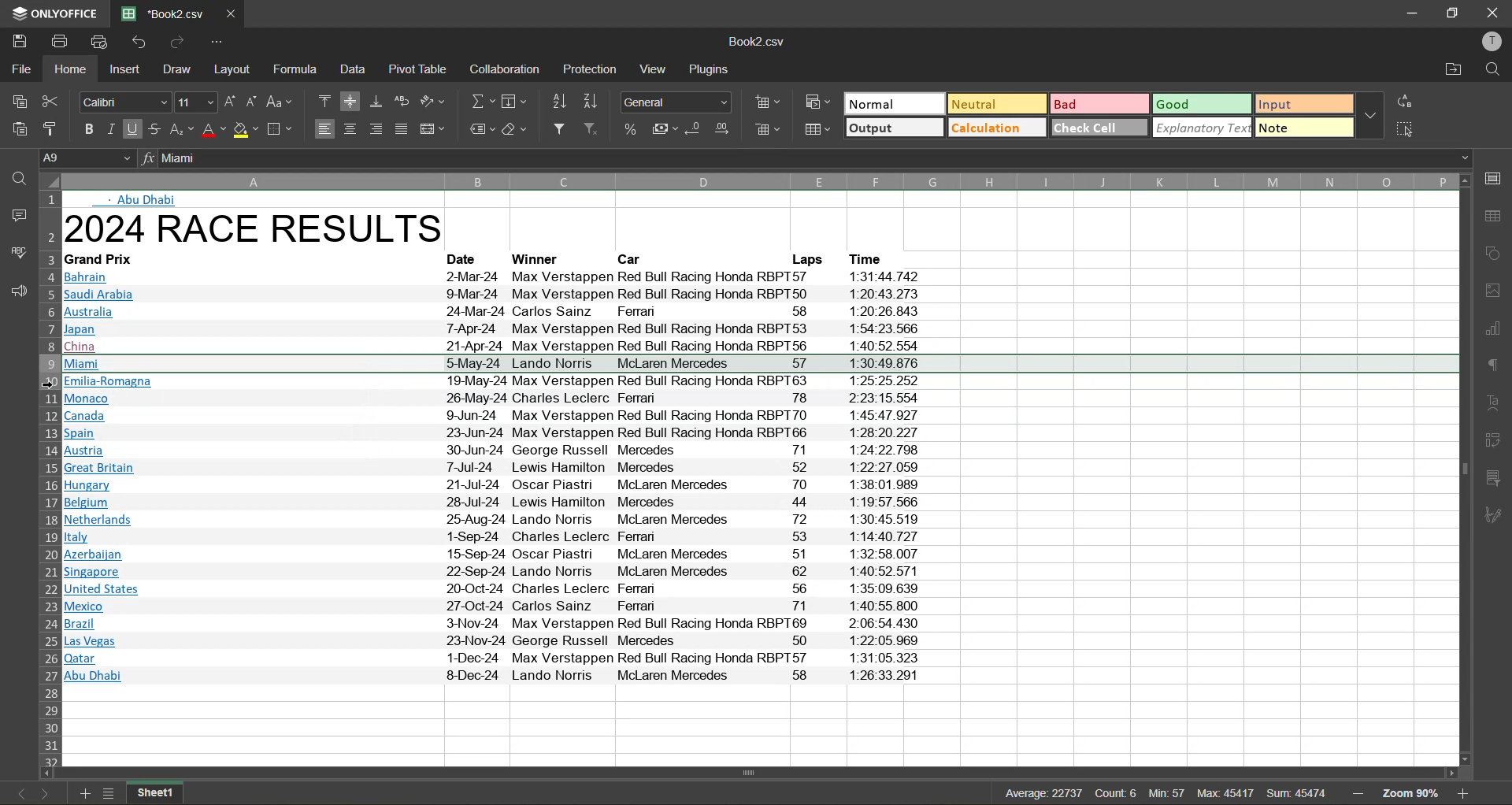 This screenshot has width=1512, height=805. What do you see at coordinates (713, 69) in the screenshot?
I see `plugins` at bounding box center [713, 69].